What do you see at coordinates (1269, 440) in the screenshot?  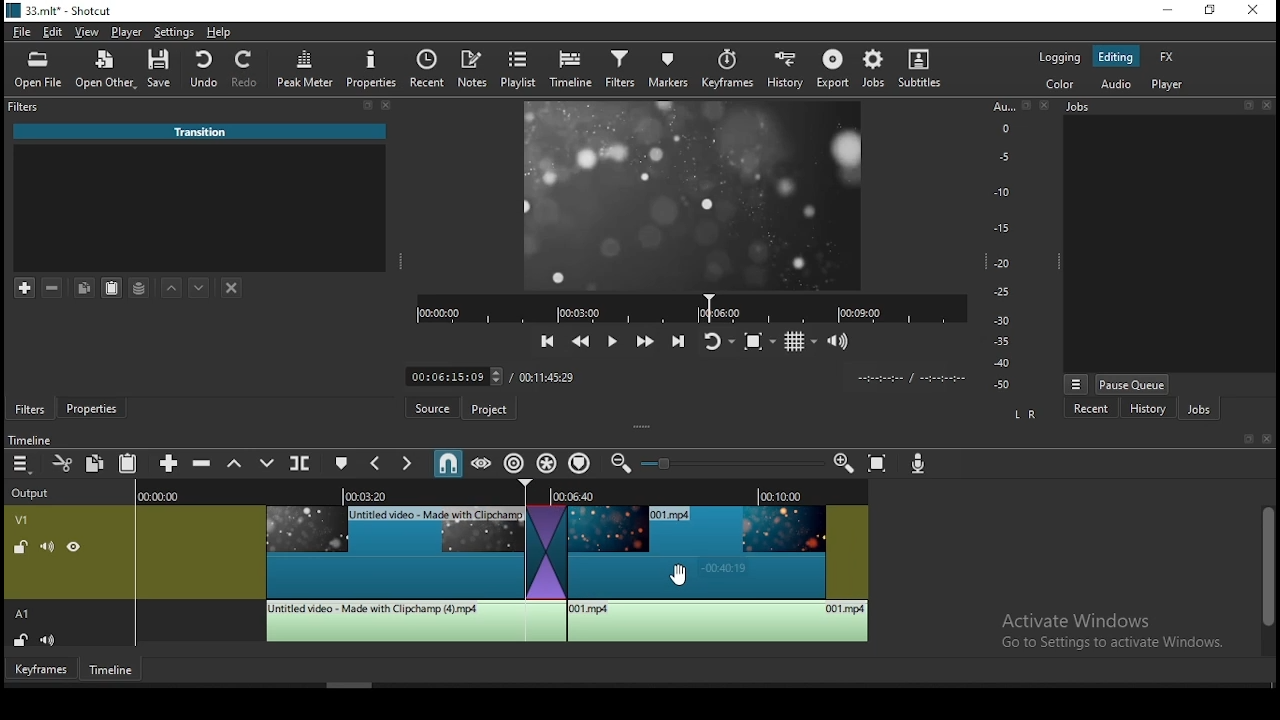 I see `close` at bounding box center [1269, 440].